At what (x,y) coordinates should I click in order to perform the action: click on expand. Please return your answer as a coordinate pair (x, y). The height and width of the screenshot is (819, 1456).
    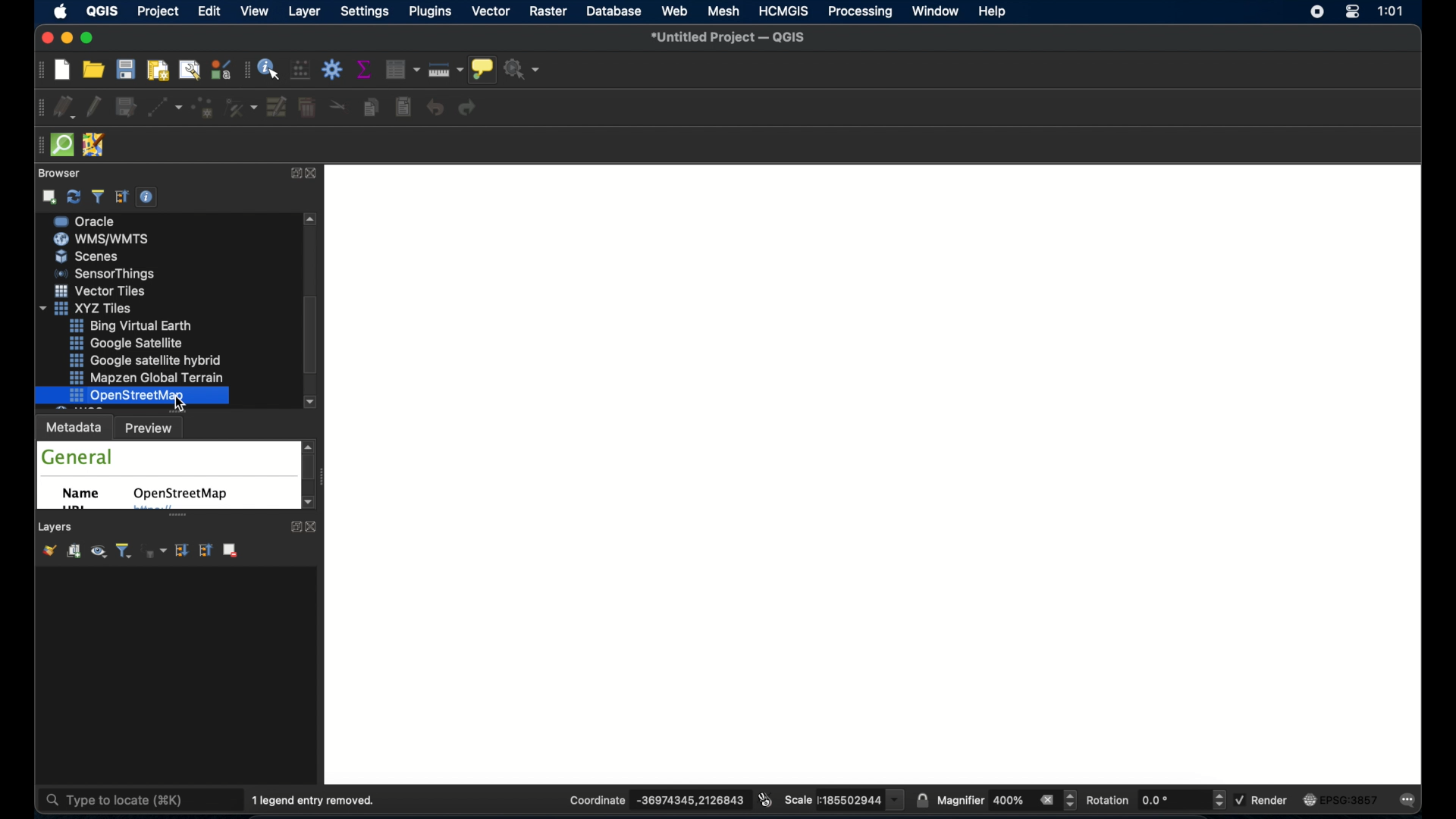
    Looking at the image, I should click on (293, 526).